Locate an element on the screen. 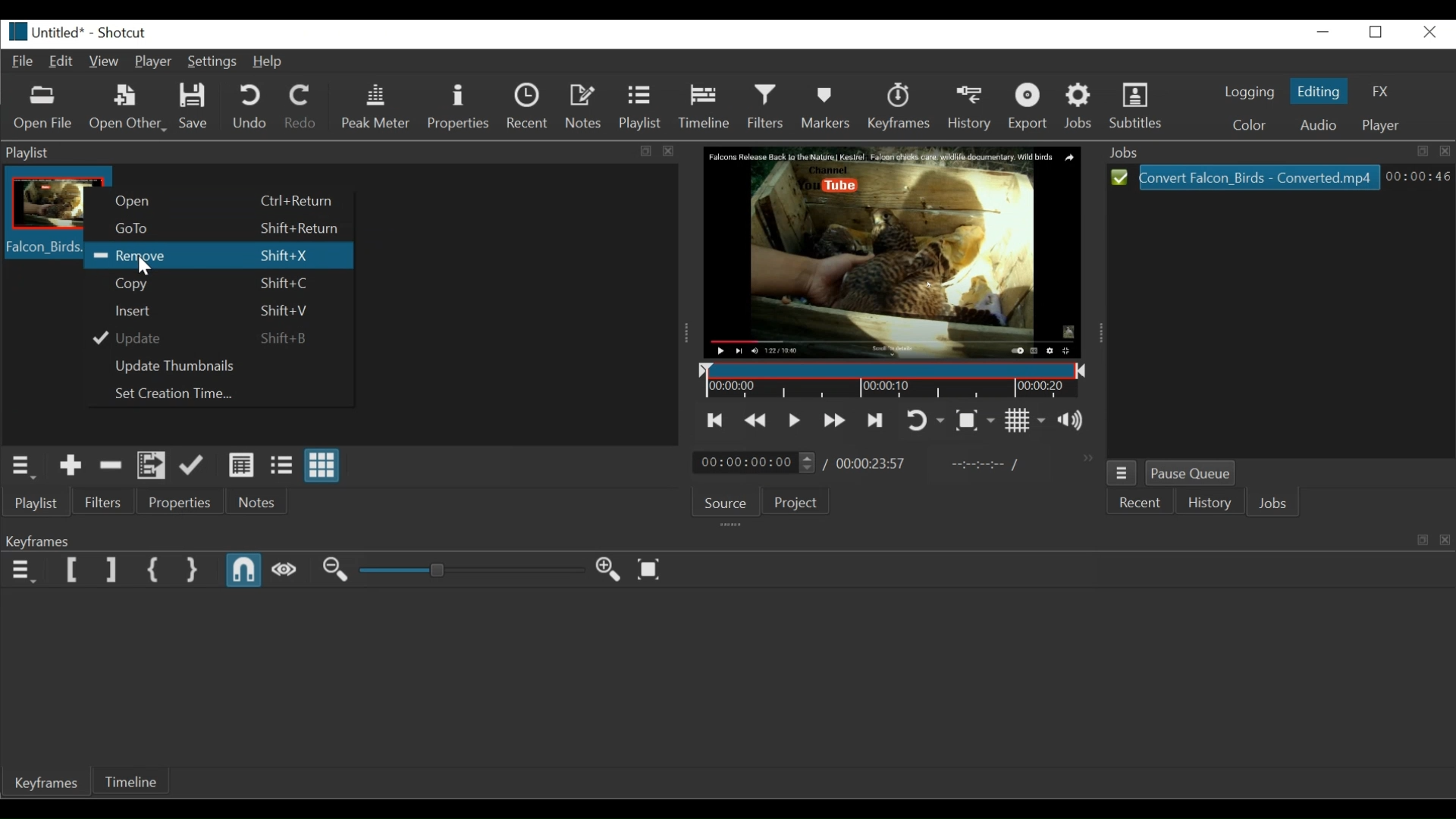 This screenshot has height=819, width=1456. Timeline is located at coordinates (888, 381).